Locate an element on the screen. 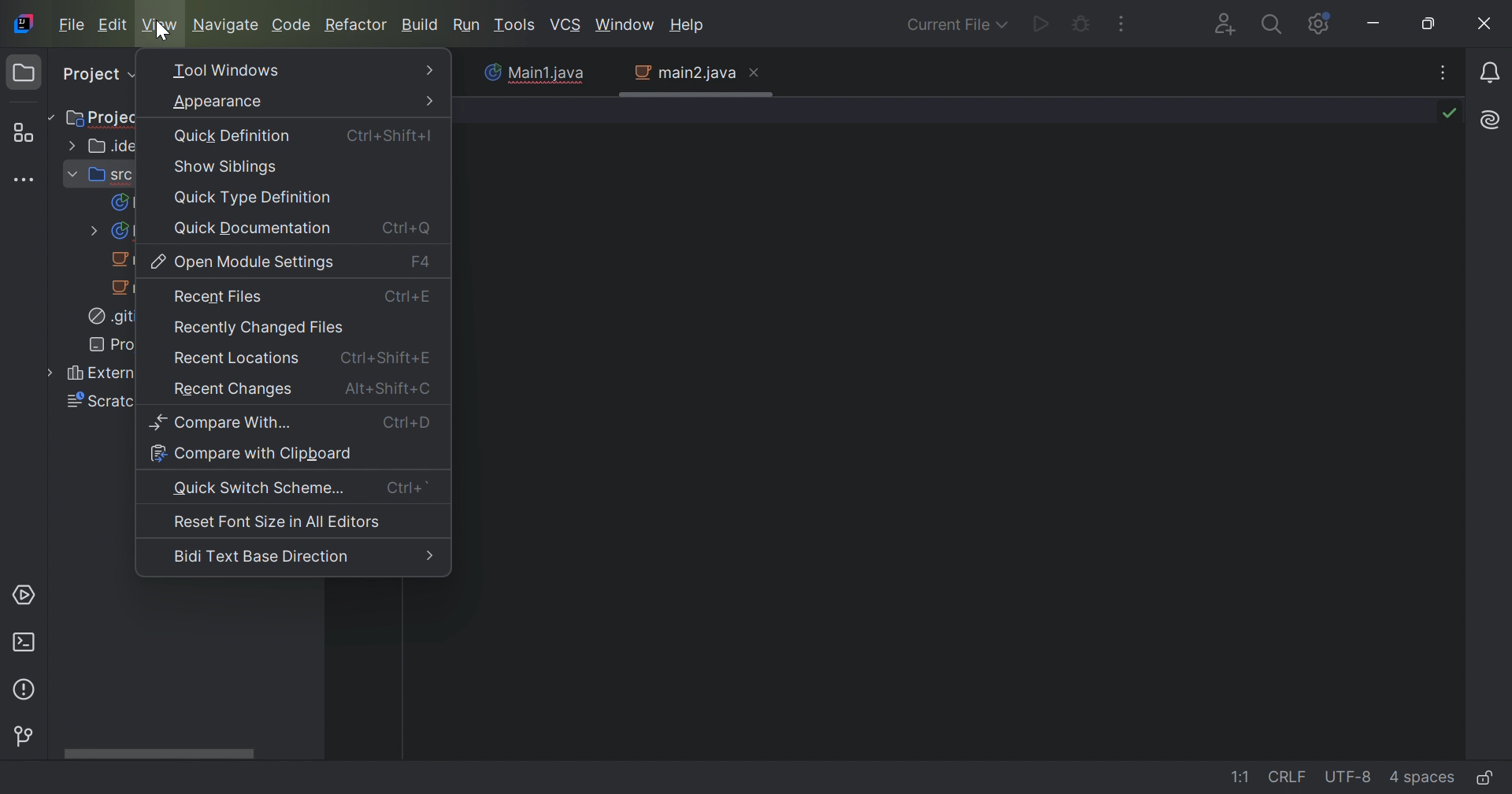 The height and width of the screenshot is (794, 1512). Recent changes is located at coordinates (235, 391).